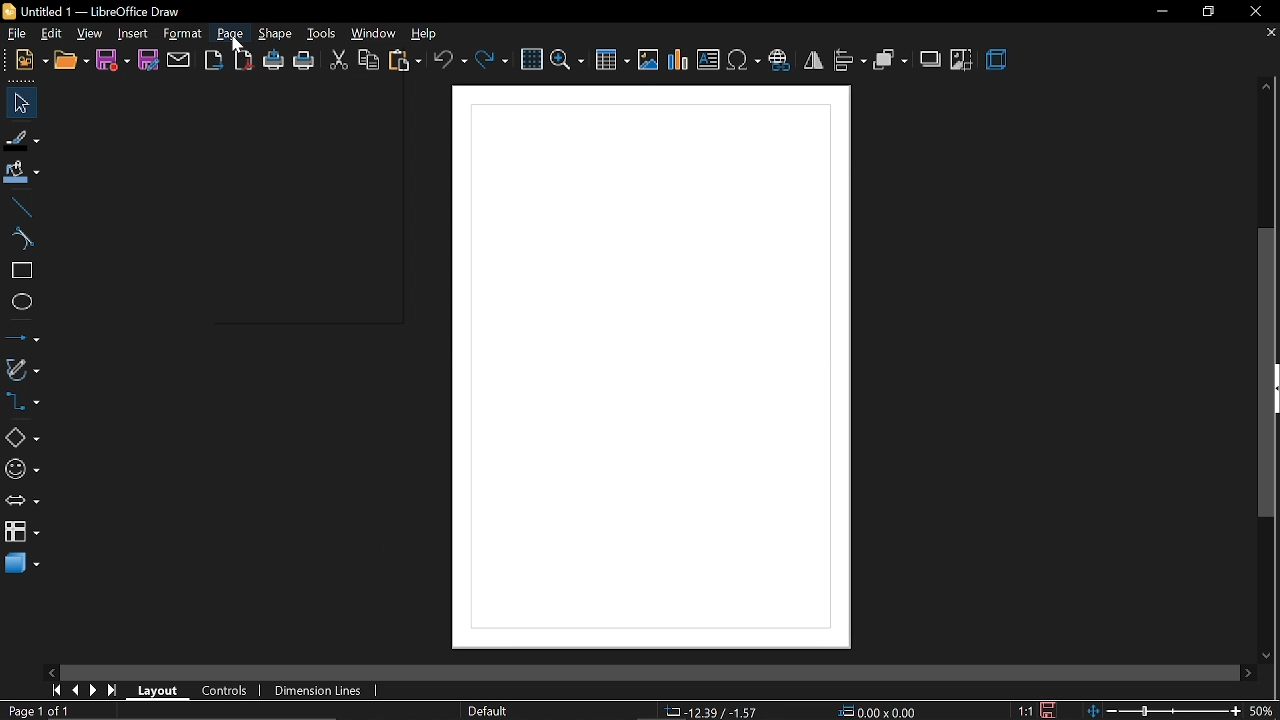  What do you see at coordinates (678, 59) in the screenshot?
I see `insert chart` at bounding box center [678, 59].